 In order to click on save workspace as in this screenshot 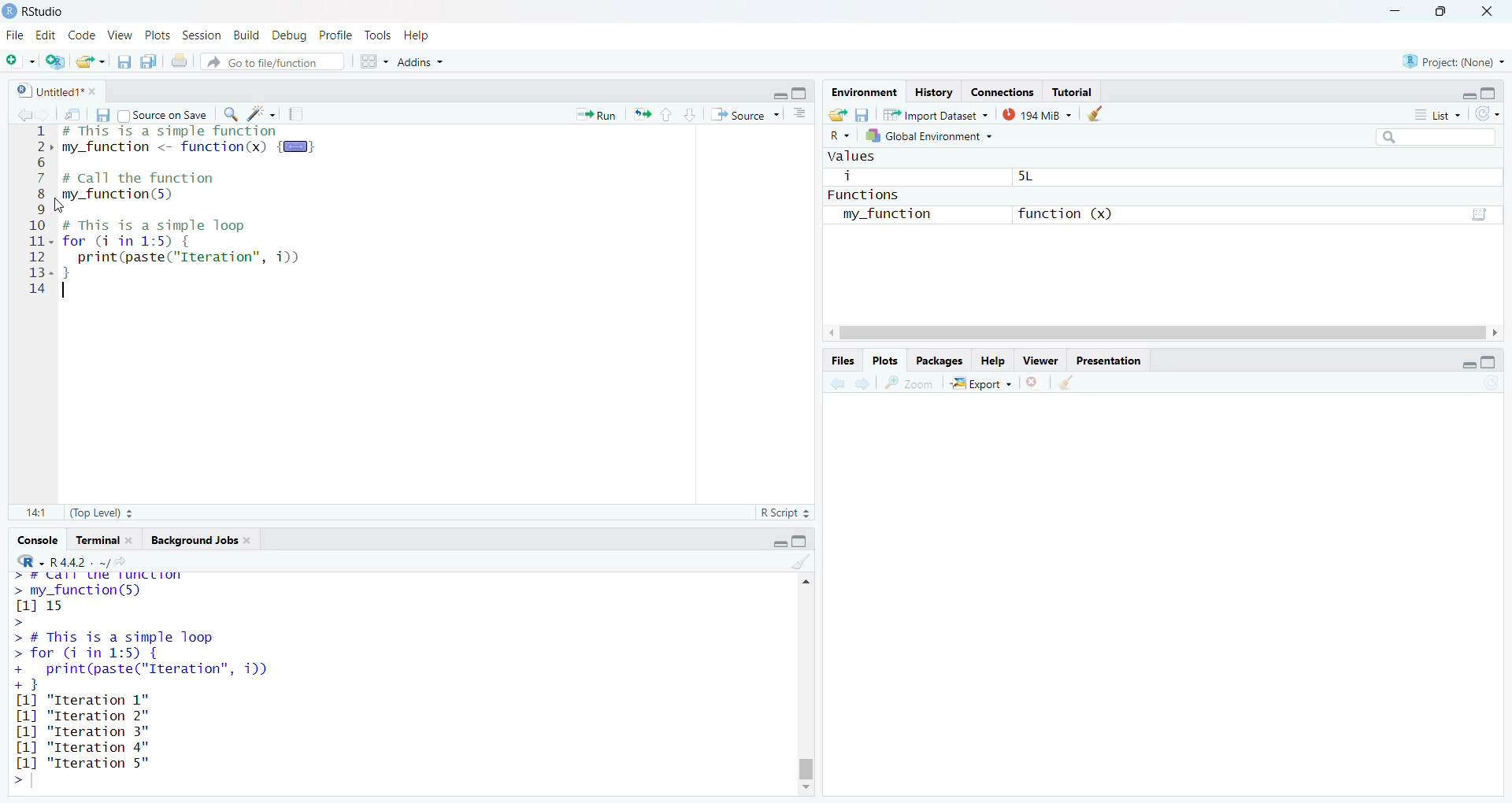, I will do `click(863, 116)`.